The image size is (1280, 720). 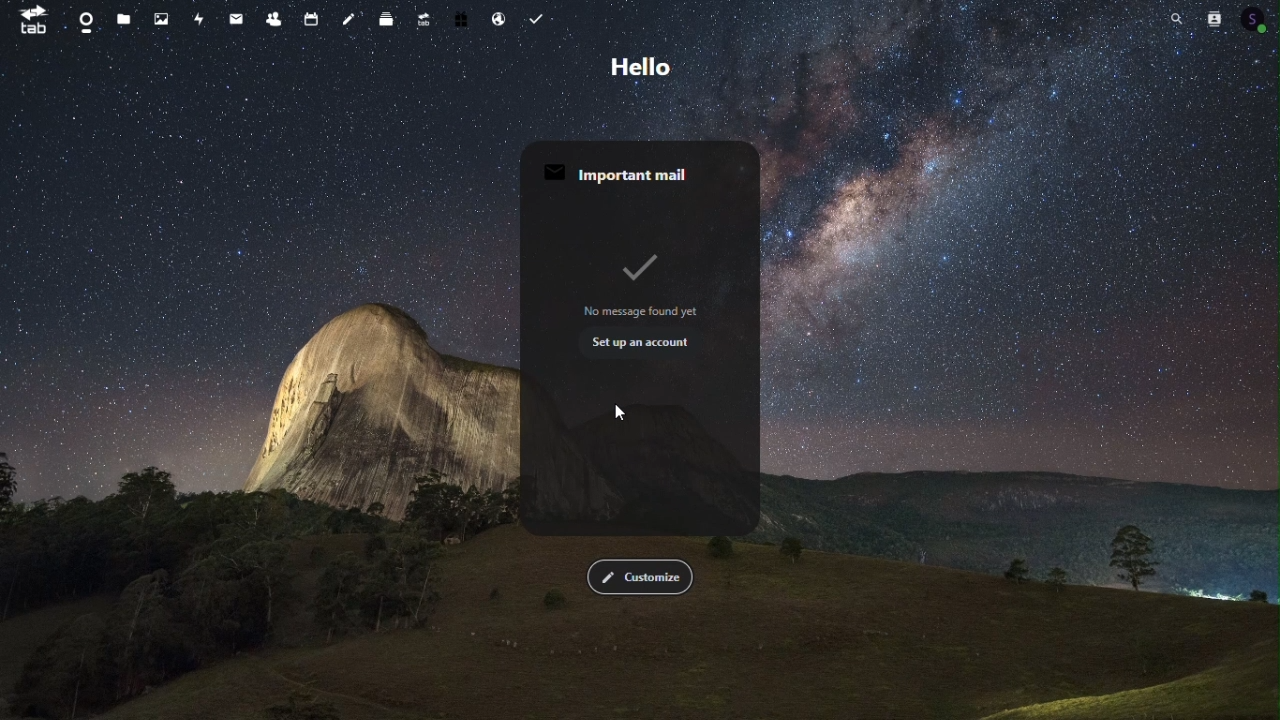 What do you see at coordinates (1258, 18) in the screenshot?
I see `account icon` at bounding box center [1258, 18].